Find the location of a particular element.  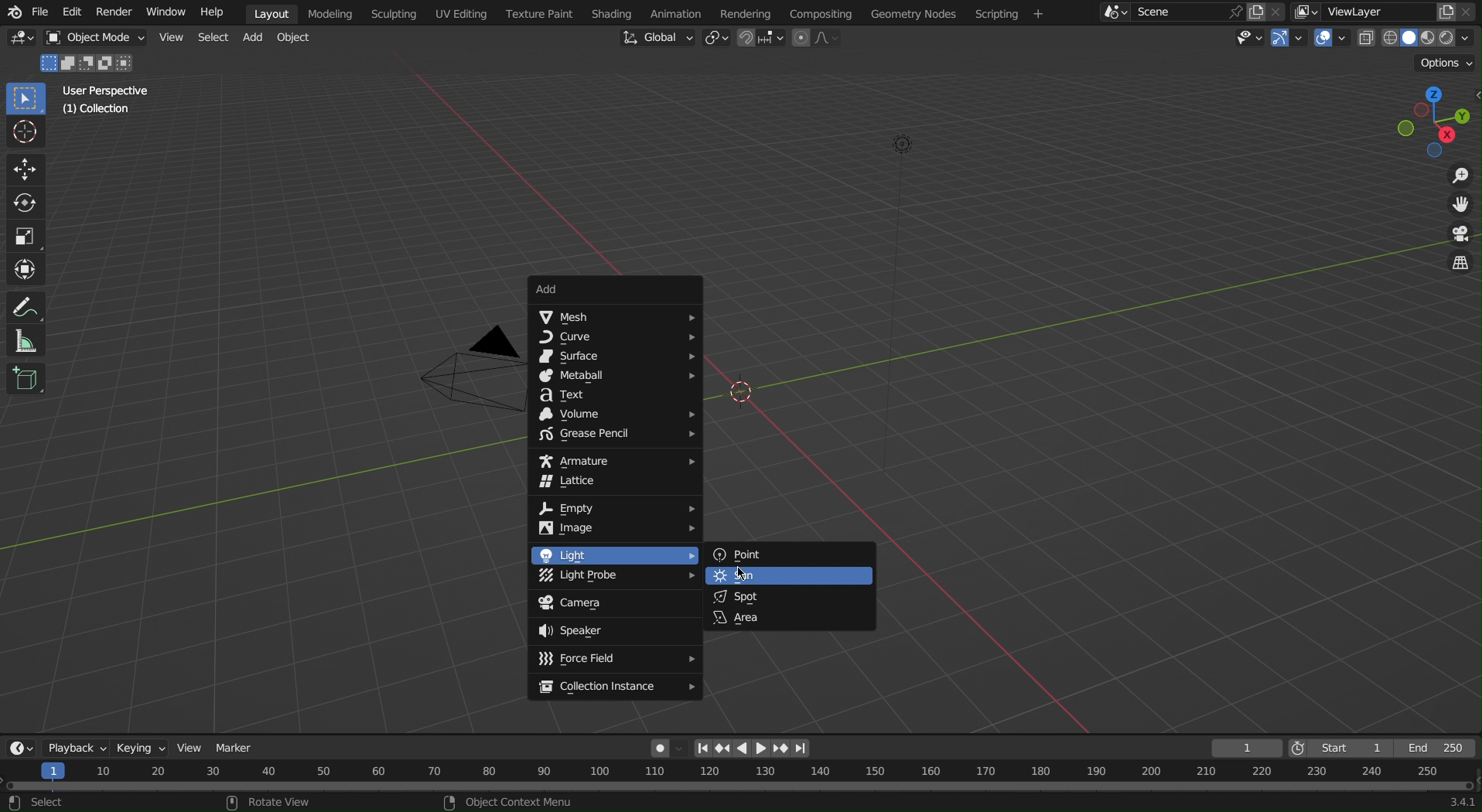

Select is located at coordinates (43, 803).